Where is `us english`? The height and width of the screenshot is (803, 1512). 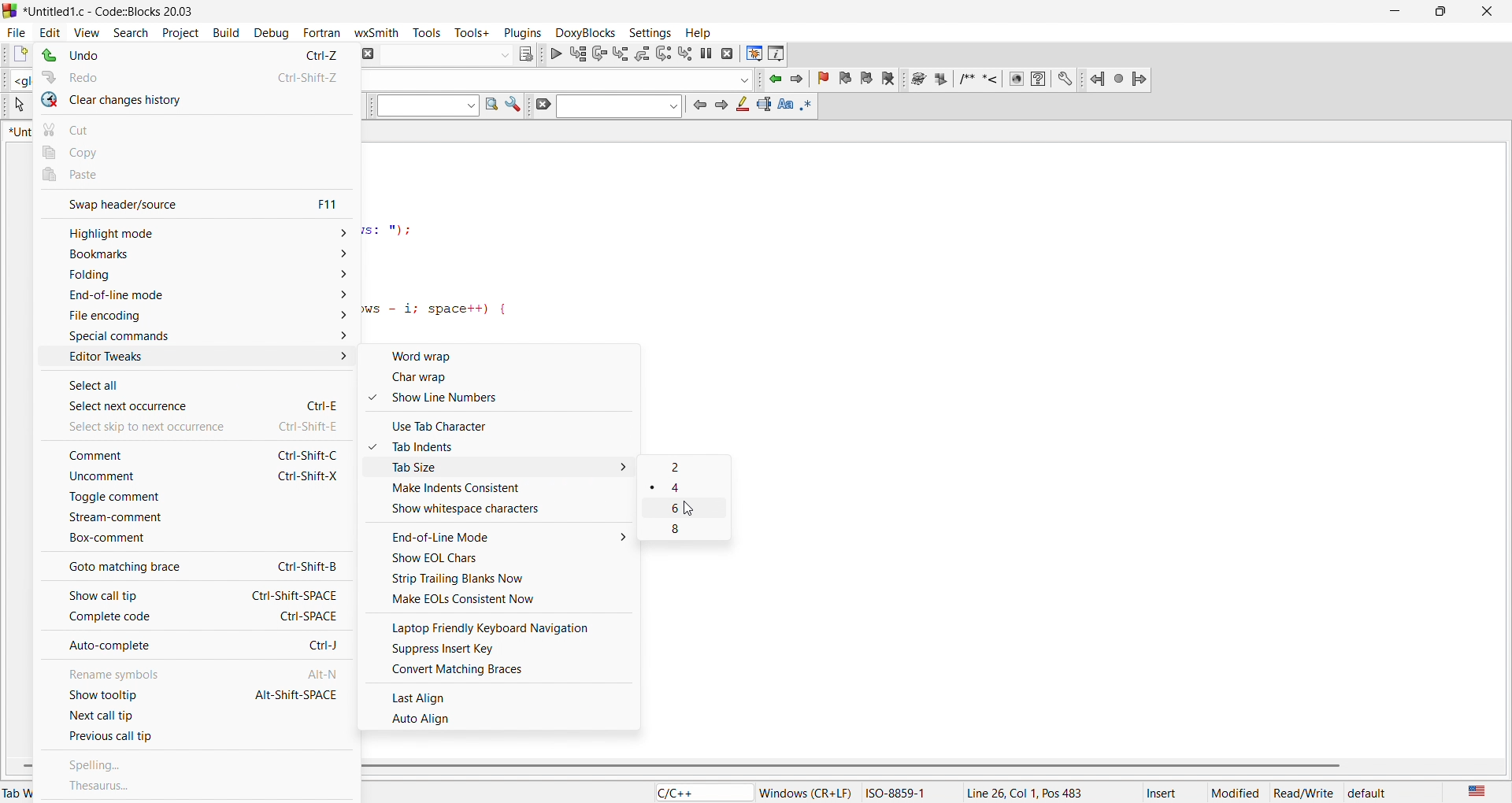 us english is located at coordinates (1476, 791).